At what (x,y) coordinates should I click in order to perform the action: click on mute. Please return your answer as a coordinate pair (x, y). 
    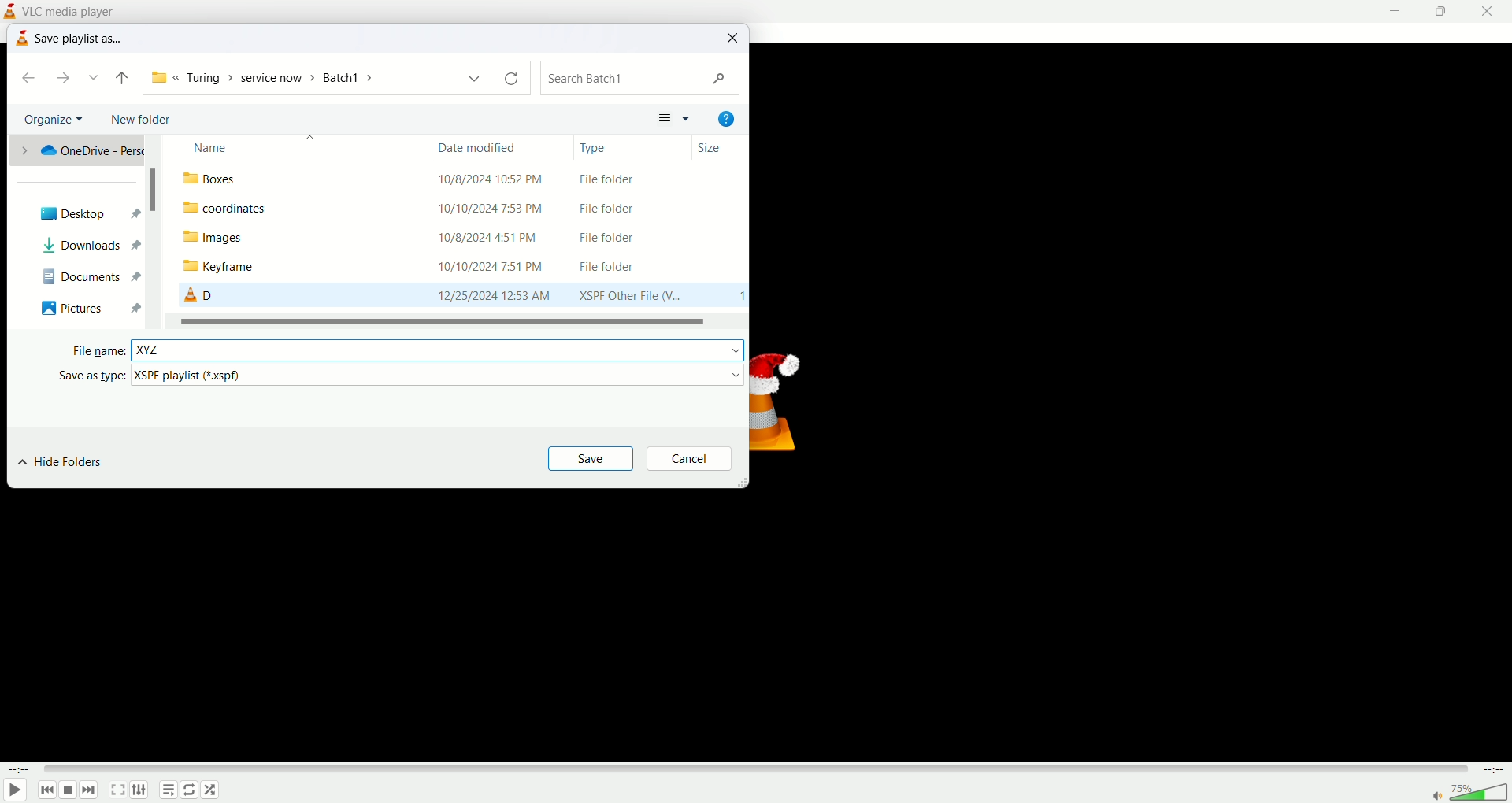
    Looking at the image, I should click on (1439, 797).